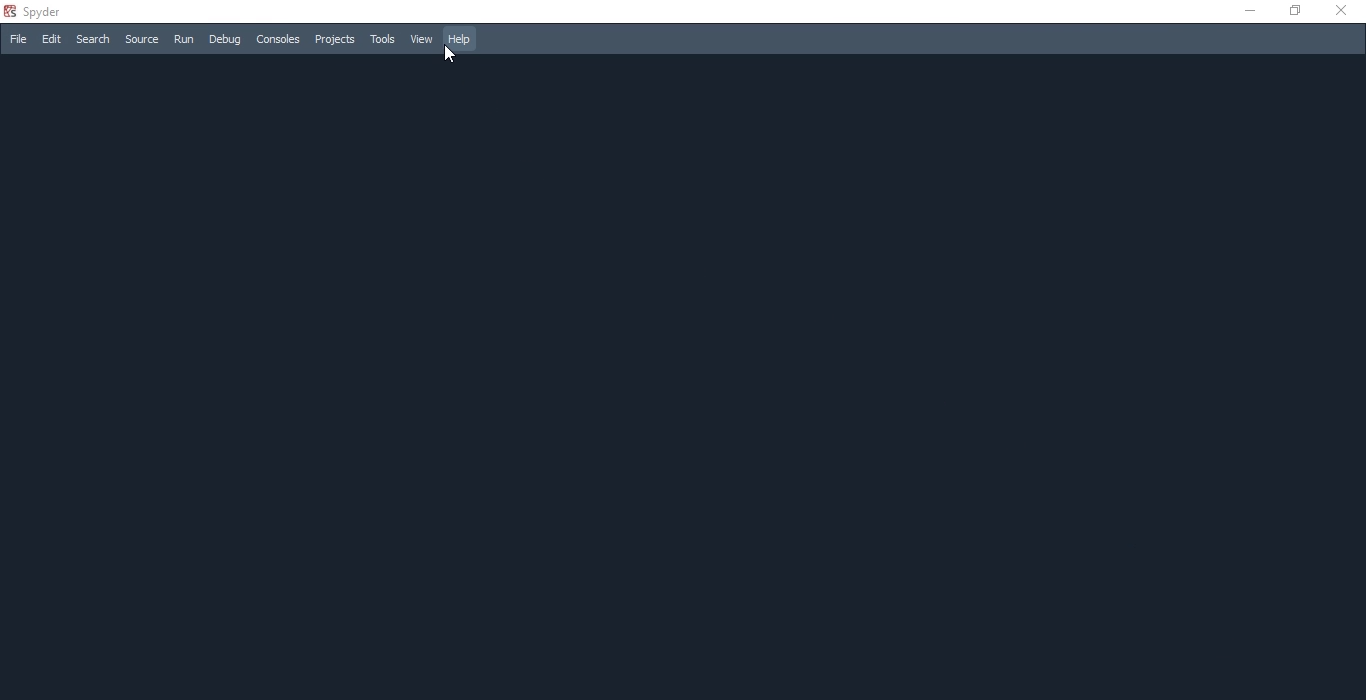  What do you see at coordinates (1340, 12) in the screenshot?
I see `close` at bounding box center [1340, 12].